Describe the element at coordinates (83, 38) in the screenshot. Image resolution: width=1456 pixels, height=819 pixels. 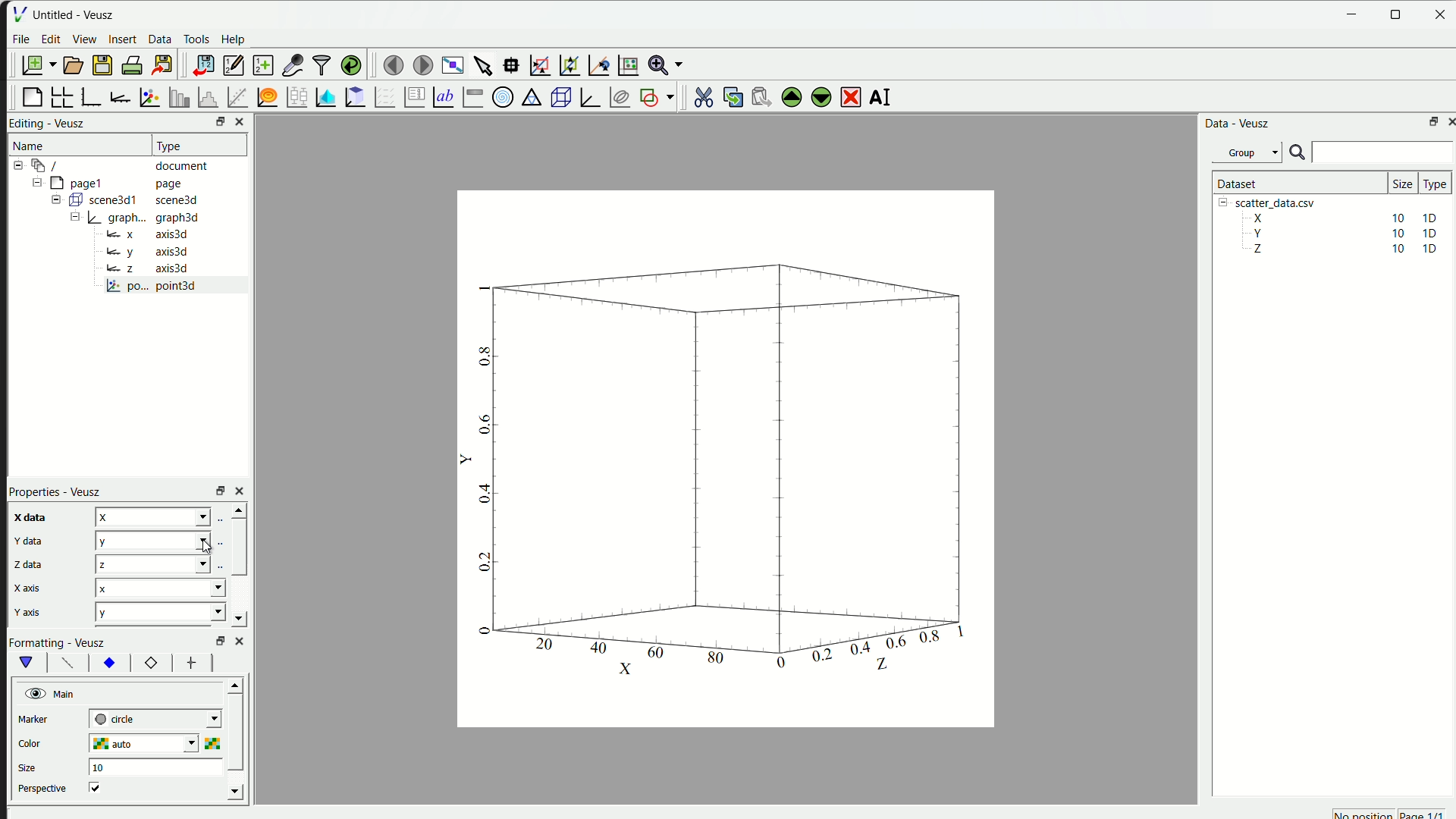
I see `View` at that location.